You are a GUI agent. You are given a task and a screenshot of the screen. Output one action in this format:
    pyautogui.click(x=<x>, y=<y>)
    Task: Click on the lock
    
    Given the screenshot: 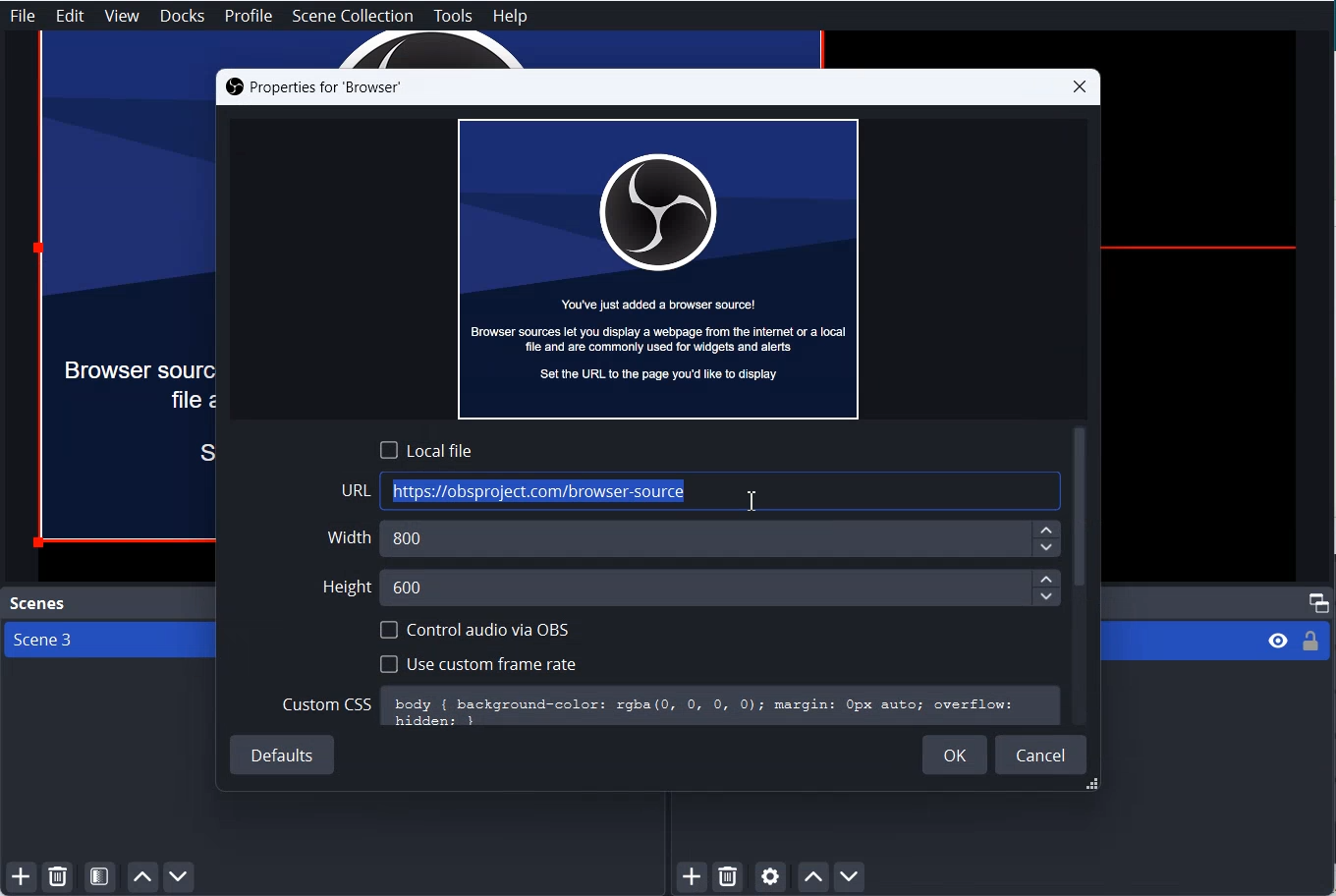 What is the action you would take?
    pyautogui.click(x=1309, y=644)
    